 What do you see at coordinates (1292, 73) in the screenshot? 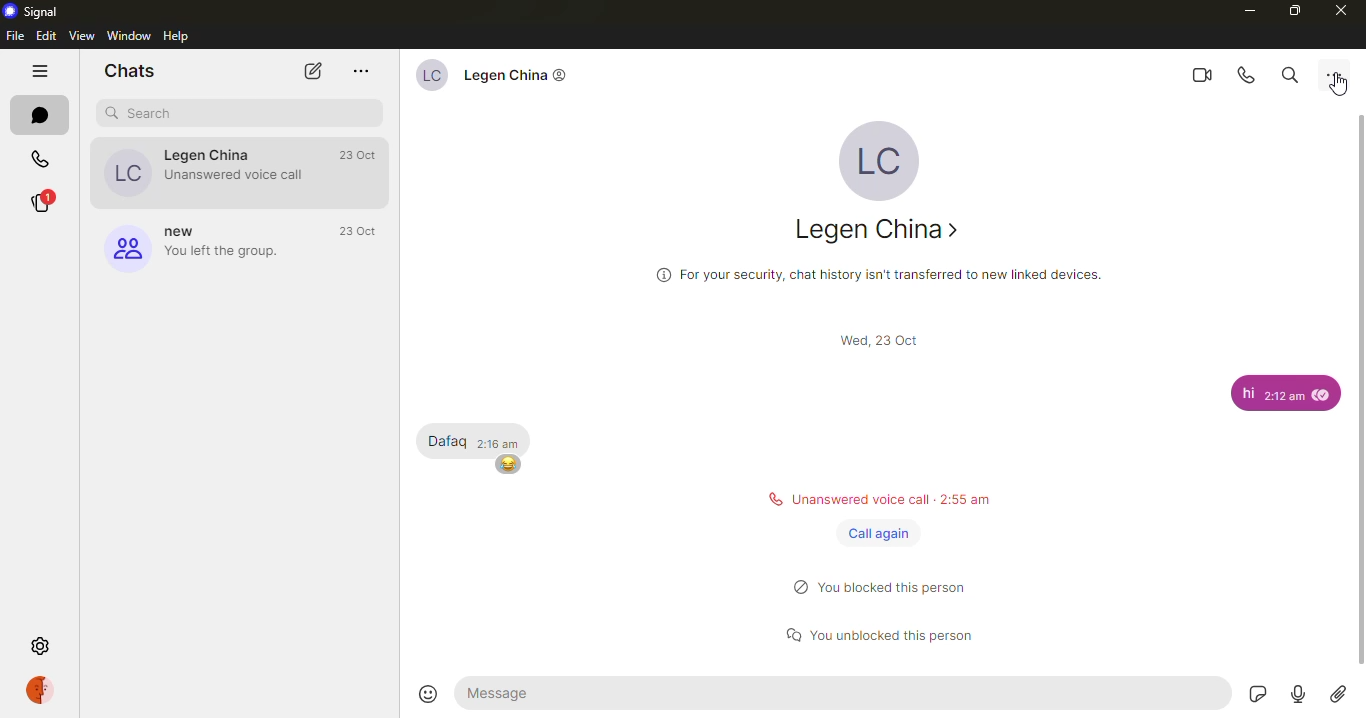
I see `search` at bounding box center [1292, 73].